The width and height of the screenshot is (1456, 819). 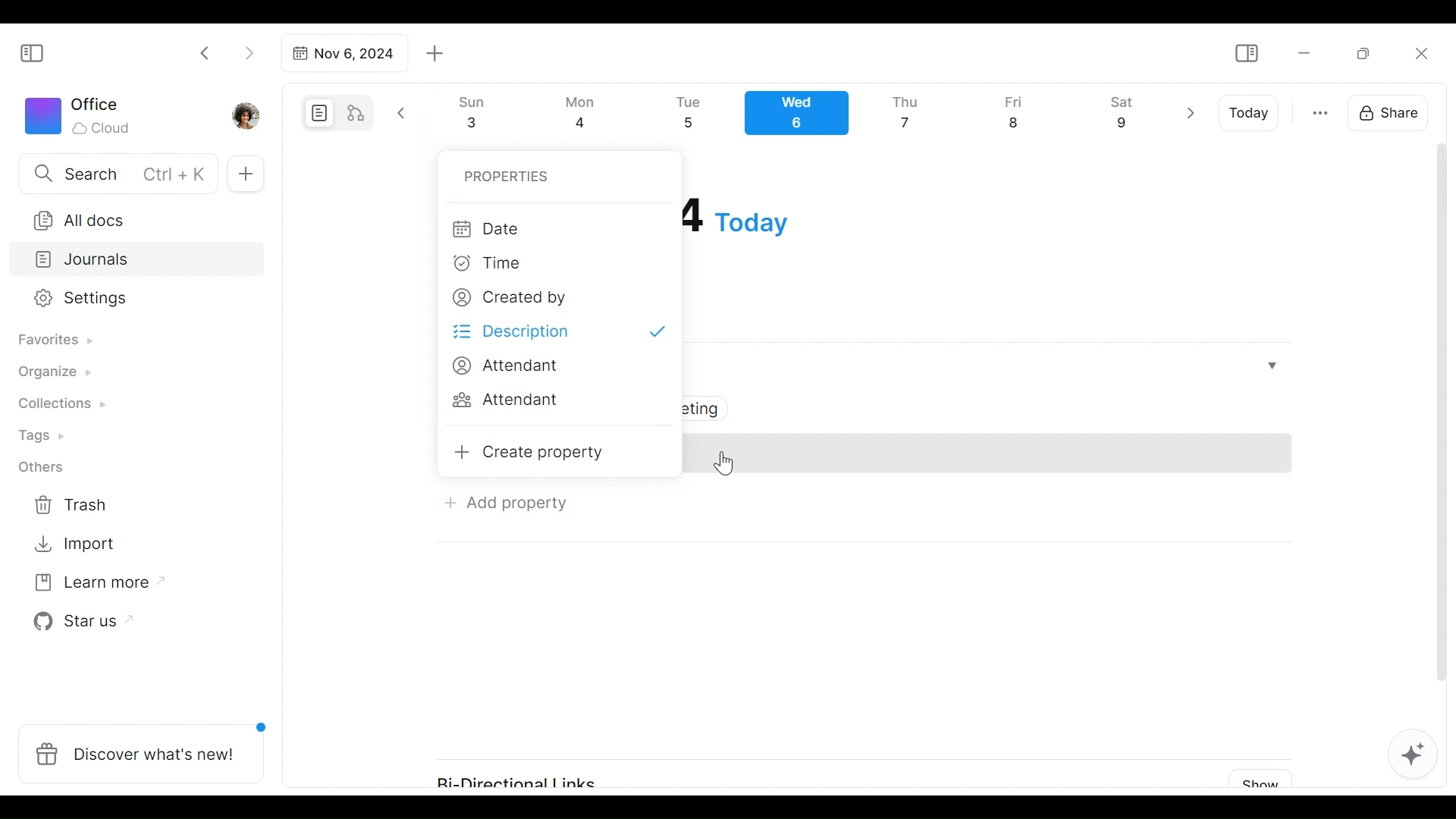 I want to click on Favorites, so click(x=54, y=340).